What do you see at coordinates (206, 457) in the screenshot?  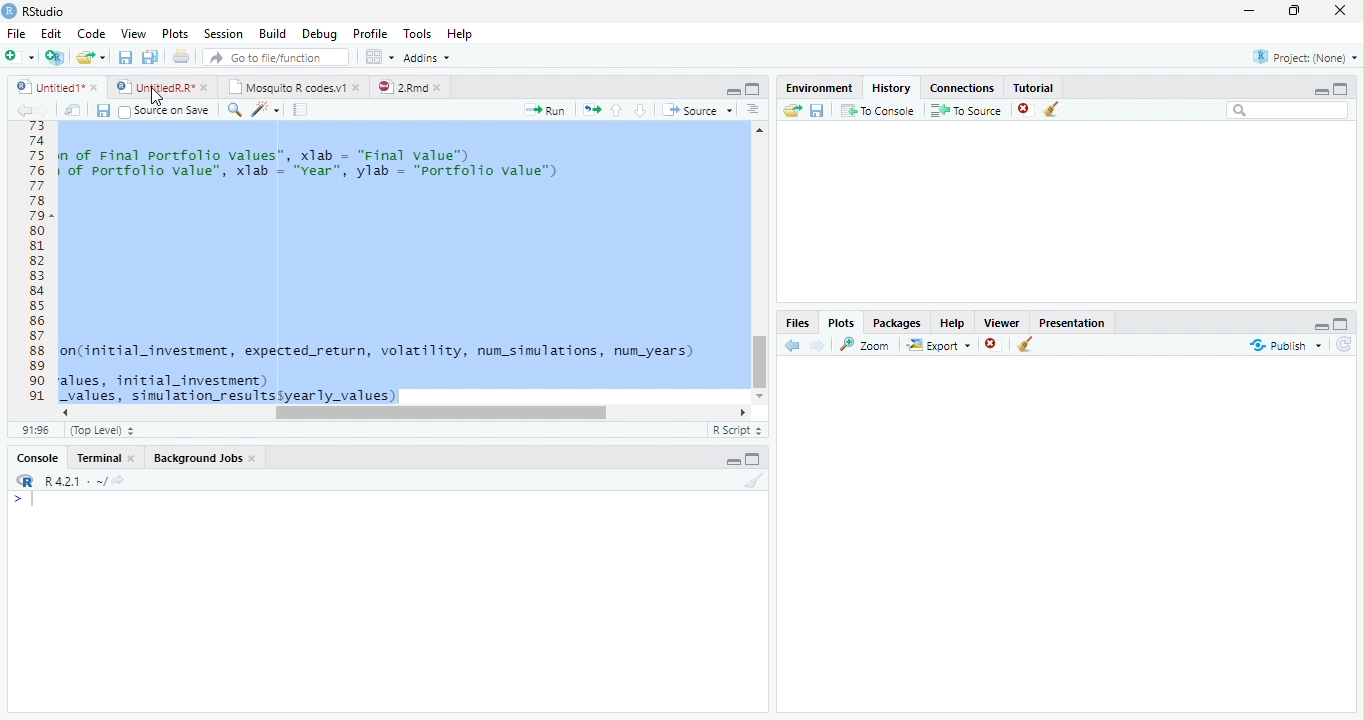 I see `Background Jobs.` at bounding box center [206, 457].